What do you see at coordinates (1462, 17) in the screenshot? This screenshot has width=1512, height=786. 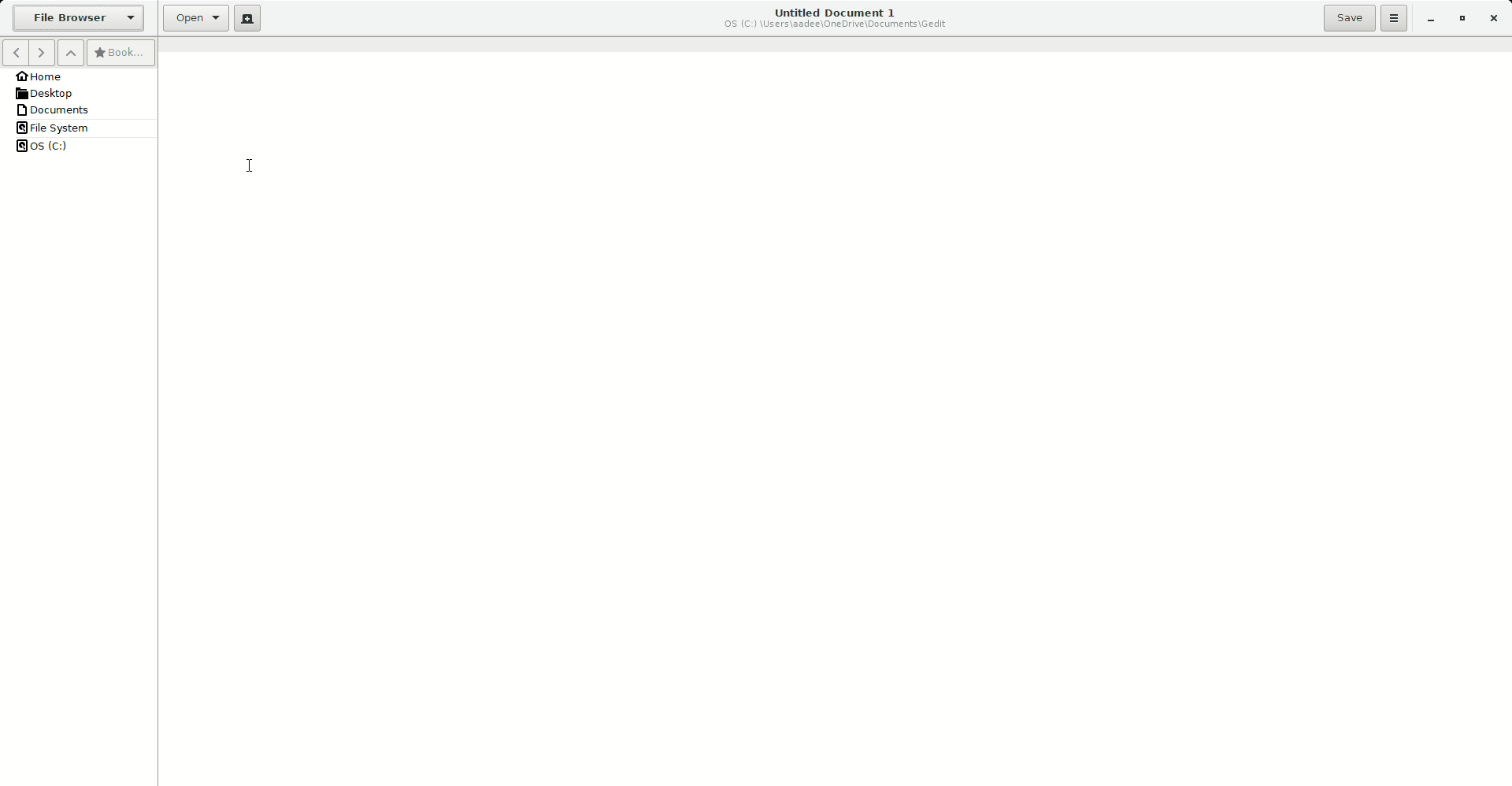 I see `Restore` at bounding box center [1462, 17].